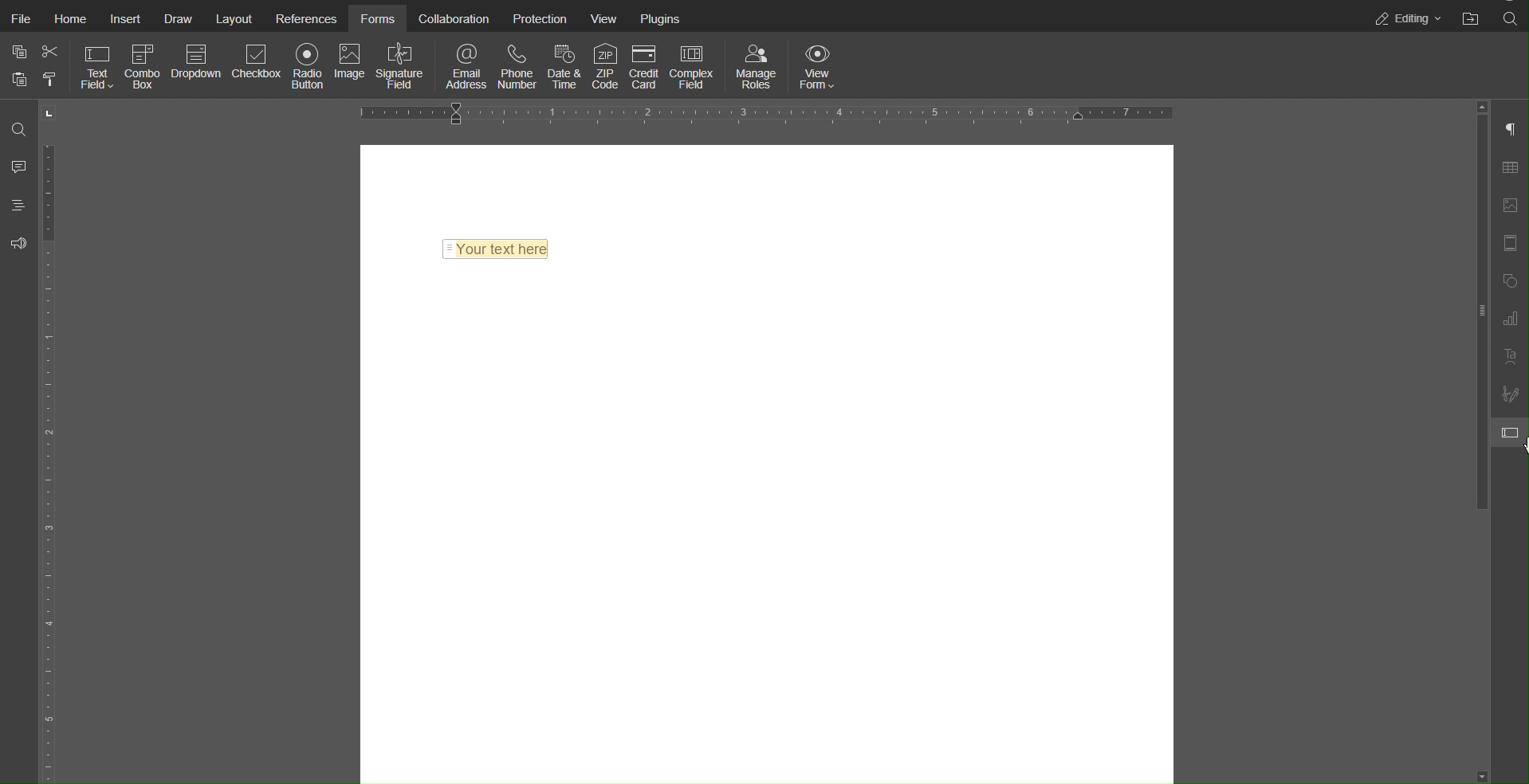 This screenshot has width=1529, height=784. Describe the element at coordinates (399, 66) in the screenshot. I see `Signature` at that location.